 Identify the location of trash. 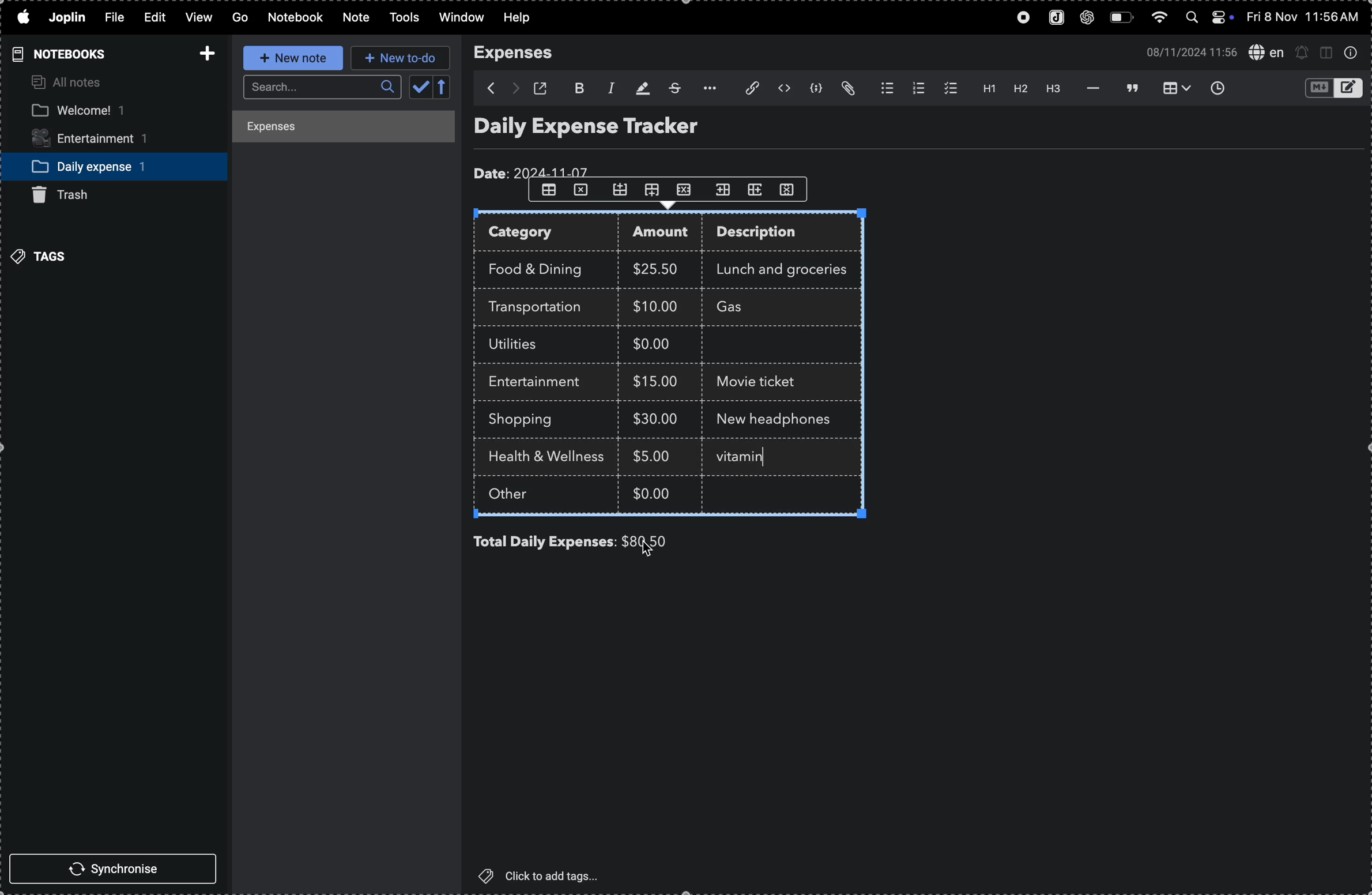
(70, 195).